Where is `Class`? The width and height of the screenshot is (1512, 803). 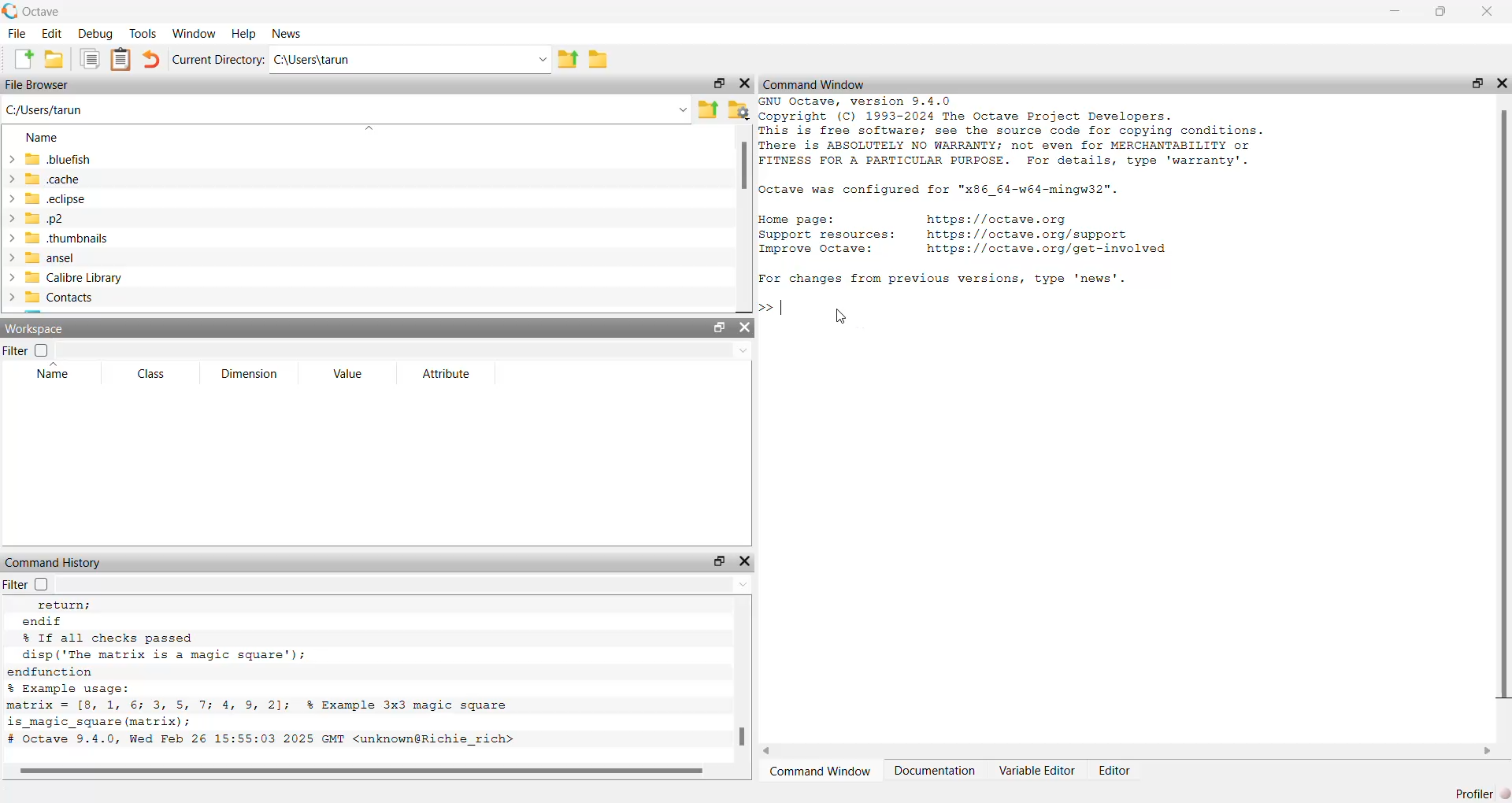
Class is located at coordinates (152, 375).